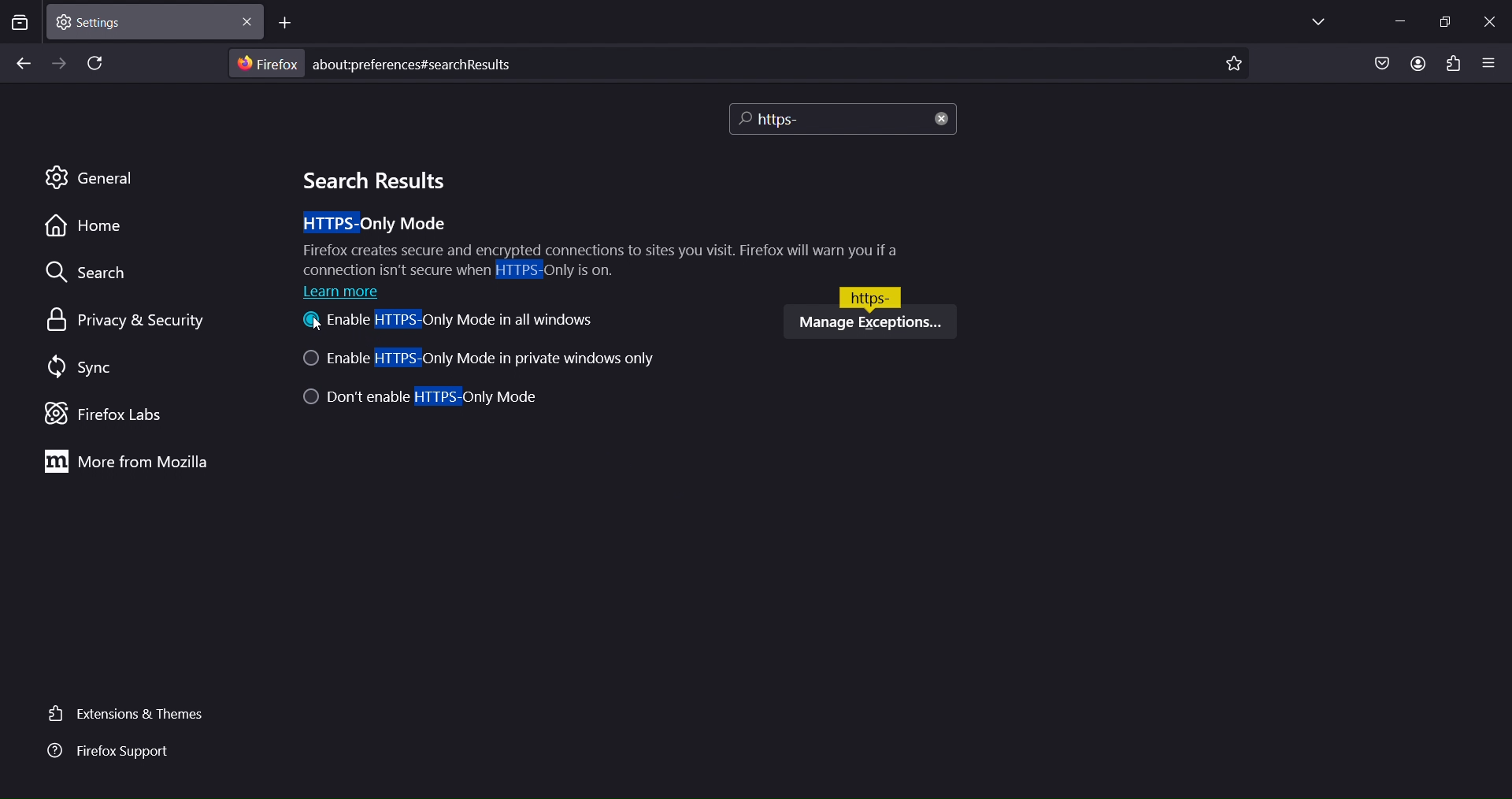 The image size is (1512, 799). Describe the element at coordinates (1491, 24) in the screenshot. I see `close` at that location.